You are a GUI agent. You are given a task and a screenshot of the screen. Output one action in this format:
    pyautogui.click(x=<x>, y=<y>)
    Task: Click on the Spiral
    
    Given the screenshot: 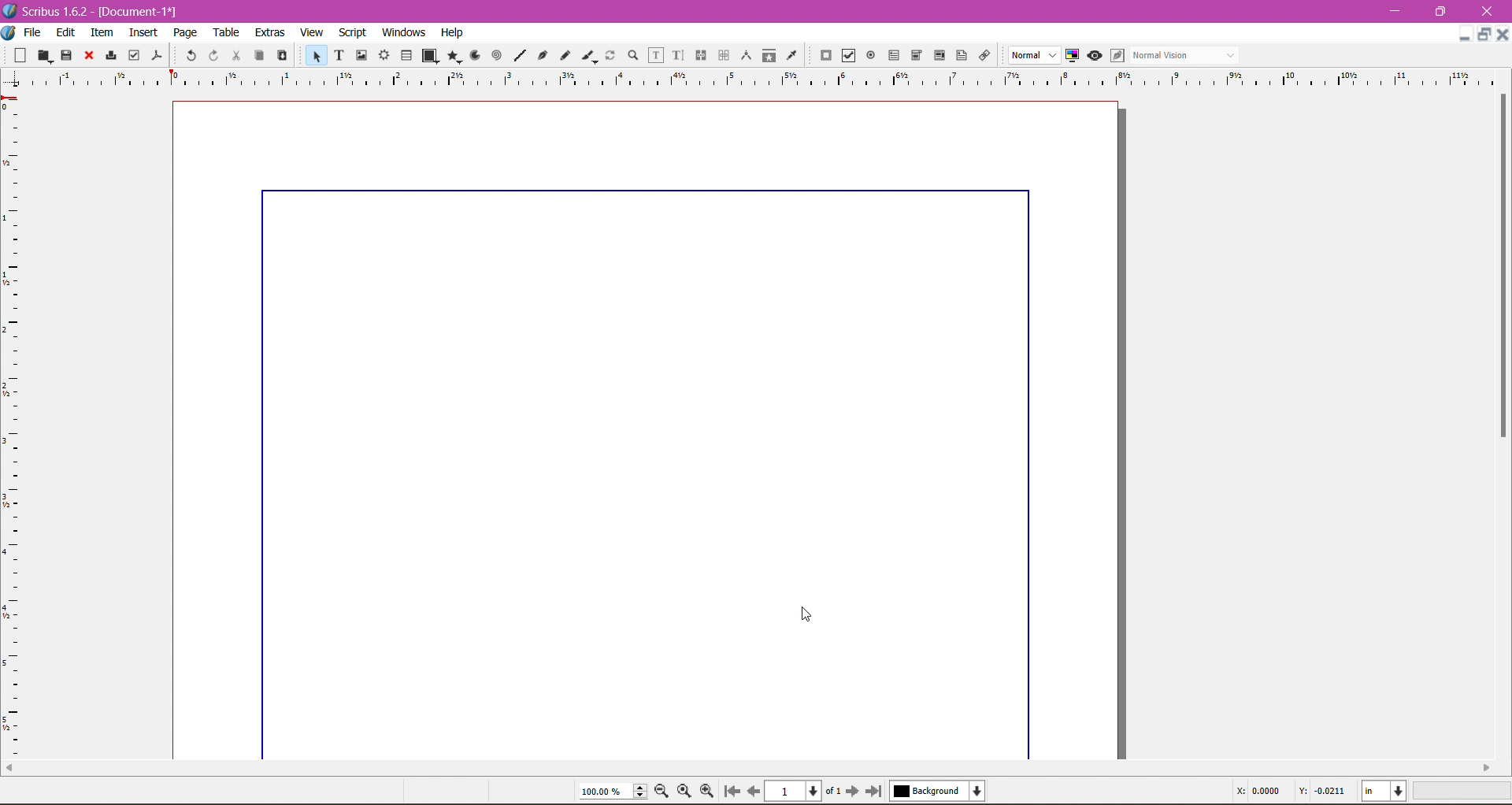 What is the action you would take?
    pyautogui.click(x=496, y=56)
    